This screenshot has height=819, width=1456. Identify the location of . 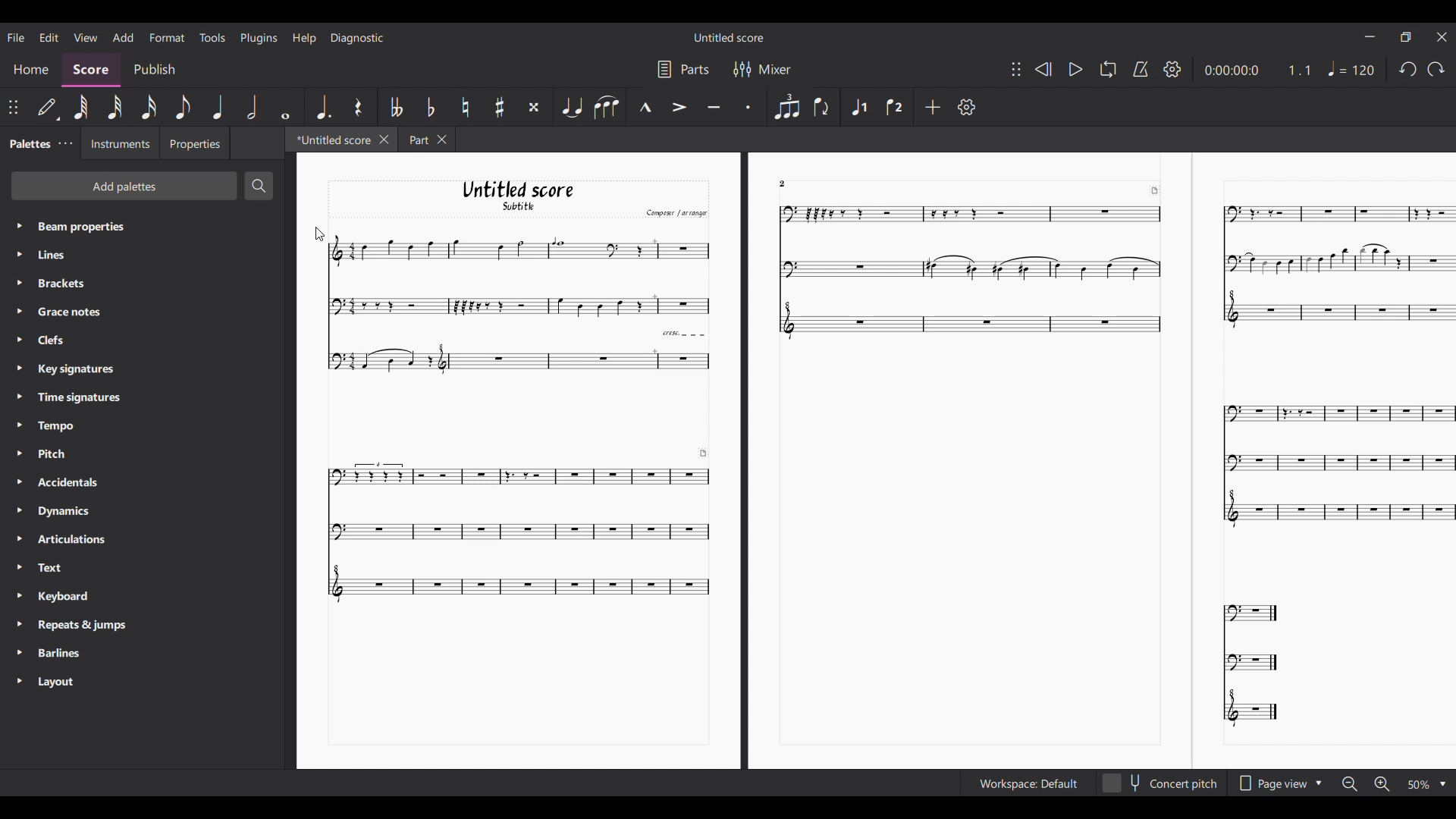
(16, 485).